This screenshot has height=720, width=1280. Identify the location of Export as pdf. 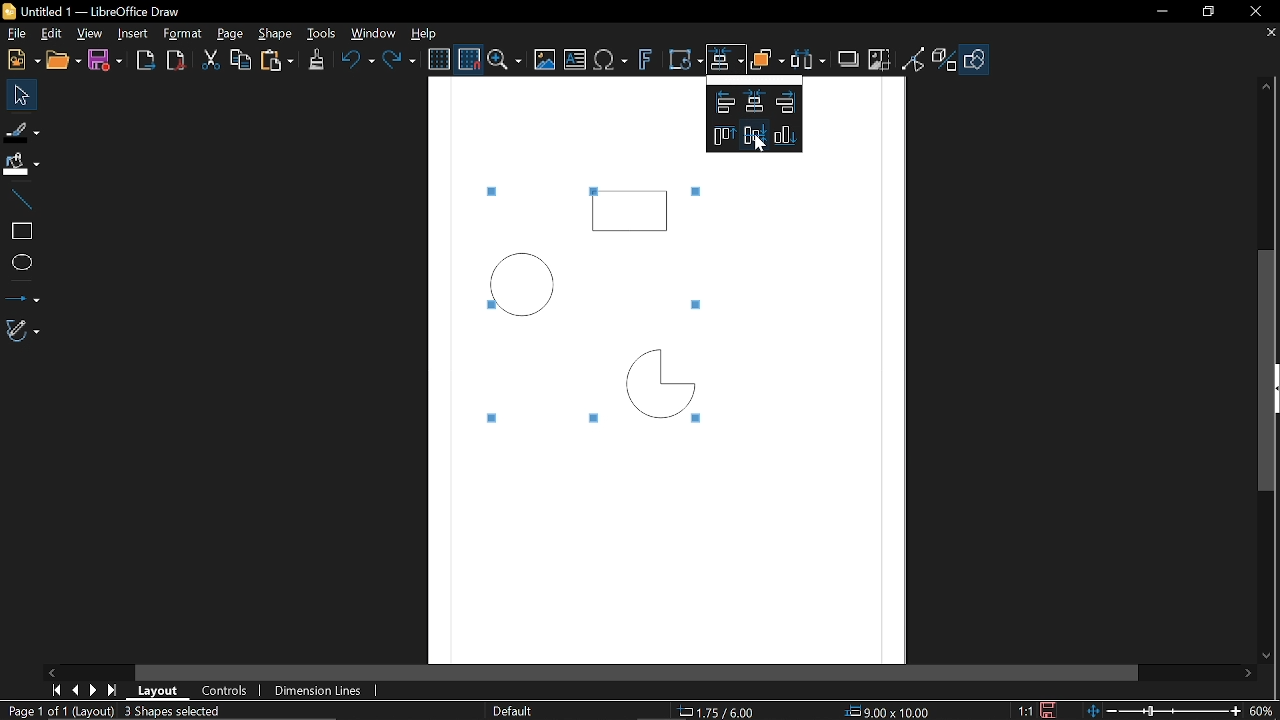
(175, 61).